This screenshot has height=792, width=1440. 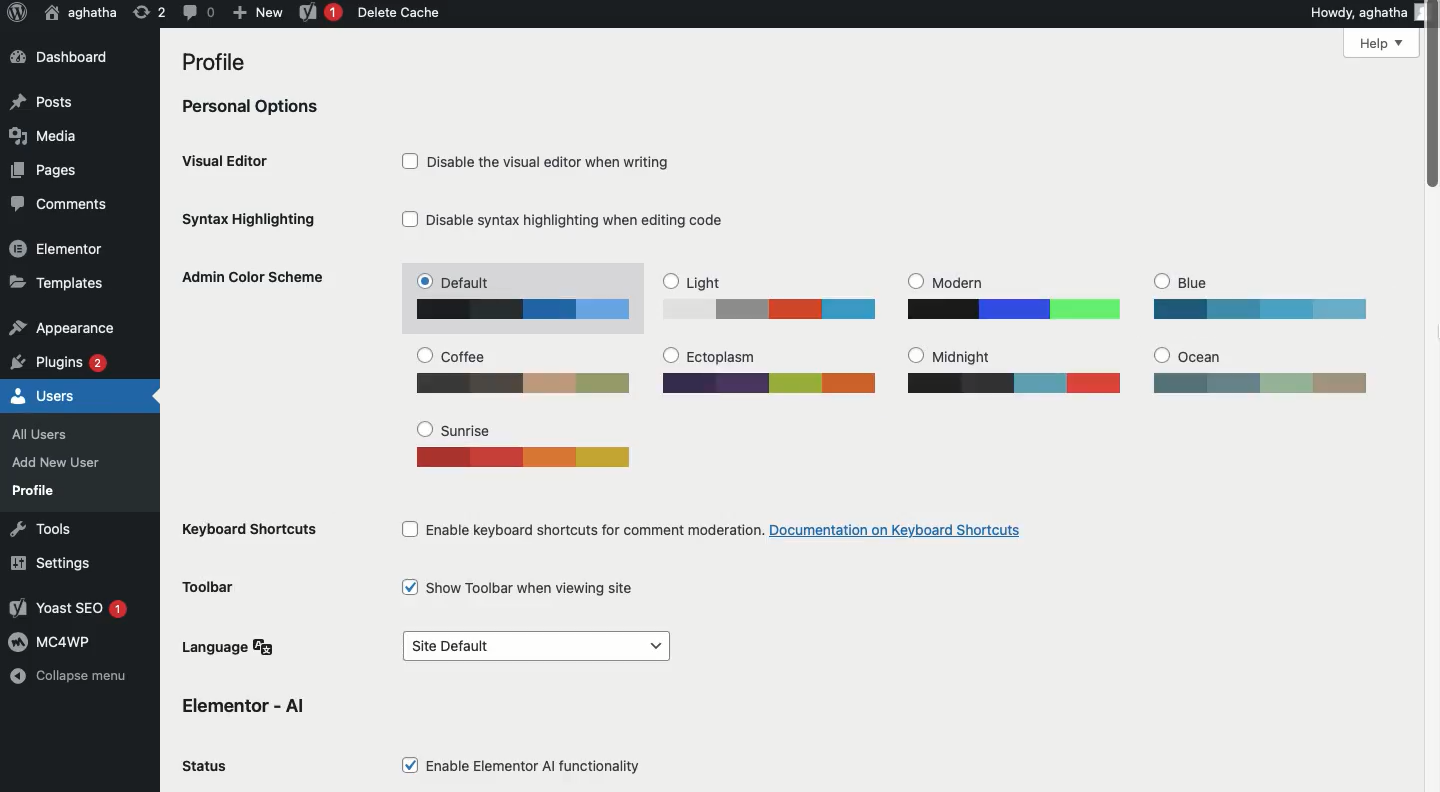 I want to click on Profile, so click(x=228, y=64).